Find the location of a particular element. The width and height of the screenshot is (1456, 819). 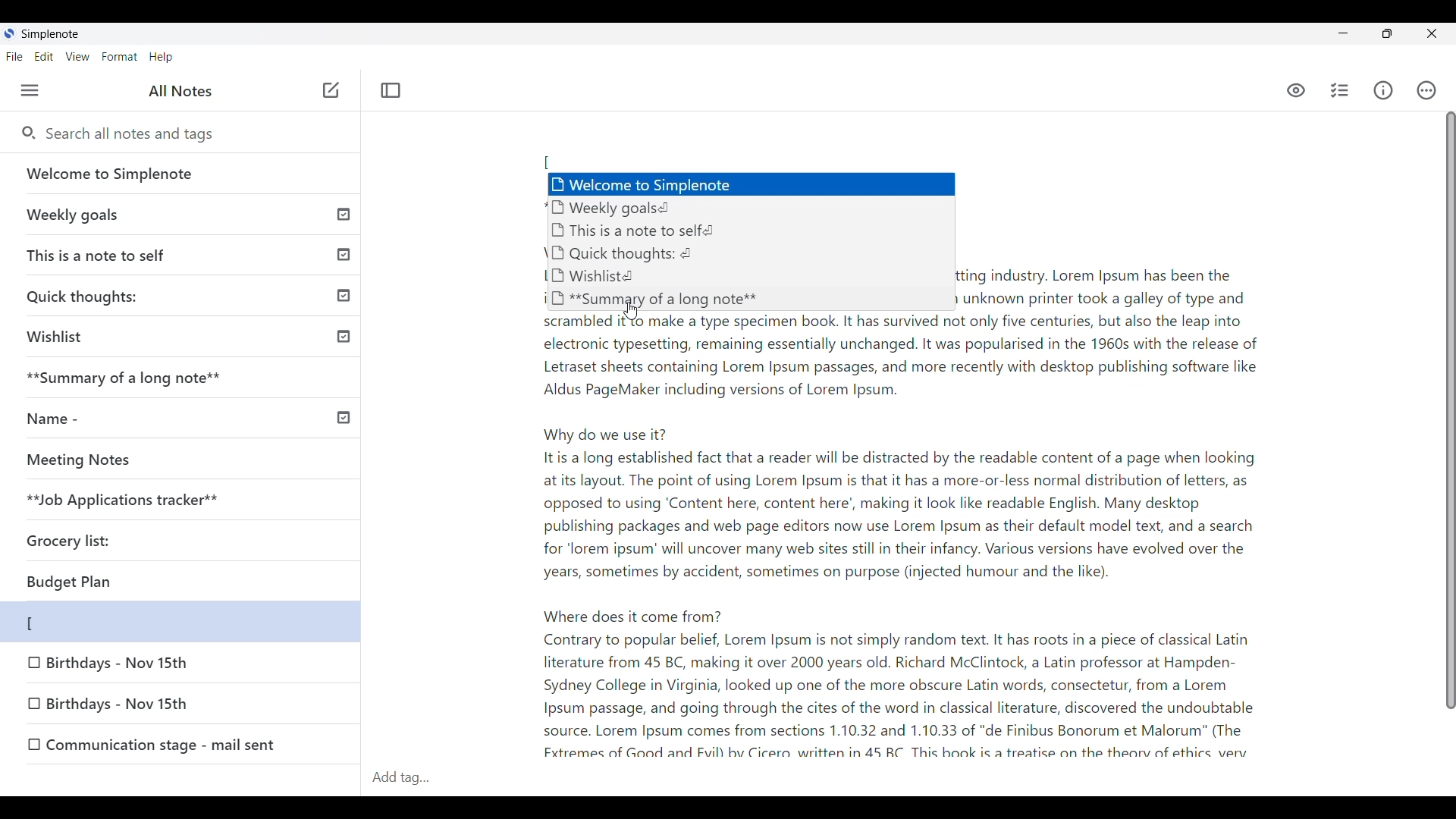

scrambled Itto make a type specimen book. It has survived not only five centuries, but also the leap into
electronic typesetting, remaining essentially unchanged. It was popularised in the 1960s with the release of
Letraset sheets containing Lorem Ipsum passages, and more recently with desktop publishing software like
Aldus PageMaker including versions of Lorem Ipsum.

Why do we use it?

Itis a long established fact that a reader will be distracted by the readable content of a page when looking
at its layout. The point of using Lorem Ipsum is that it has a more-or-less normal distribution of letters, as
opposed to using ‘Content here, content here’, making it look like readable English. Many desktop
publishing packages and web page editors now use Lorem Ipsum as their default model text, and a search
for lorem ipsum’ will uncover many web sites still in their infancy. Various versions have evolved over the
years, sometimes by accident, sometimes on purpose (injected humour and the like).

Where does it come from?

Contrary to popular belief, Lorem Ipsum is not simply random text. It has roots in a piece of classical Latin
literature from 45 BC, making it over 2000 years old. Richard McClintock, a Latin professor at Hampden-
Sydney College in Virginia, looked up one of the more obscure Latin words, consectetur, from a Lorem
Ipsum passage, and going through the cites of the word in classical literature, discovered the undoubtable
source. Lorem Ipsum comes from sections 1.10.32 and 1.10.33 of “de Finibus Bonorum et Malorum” (The is located at coordinates (893, 532).